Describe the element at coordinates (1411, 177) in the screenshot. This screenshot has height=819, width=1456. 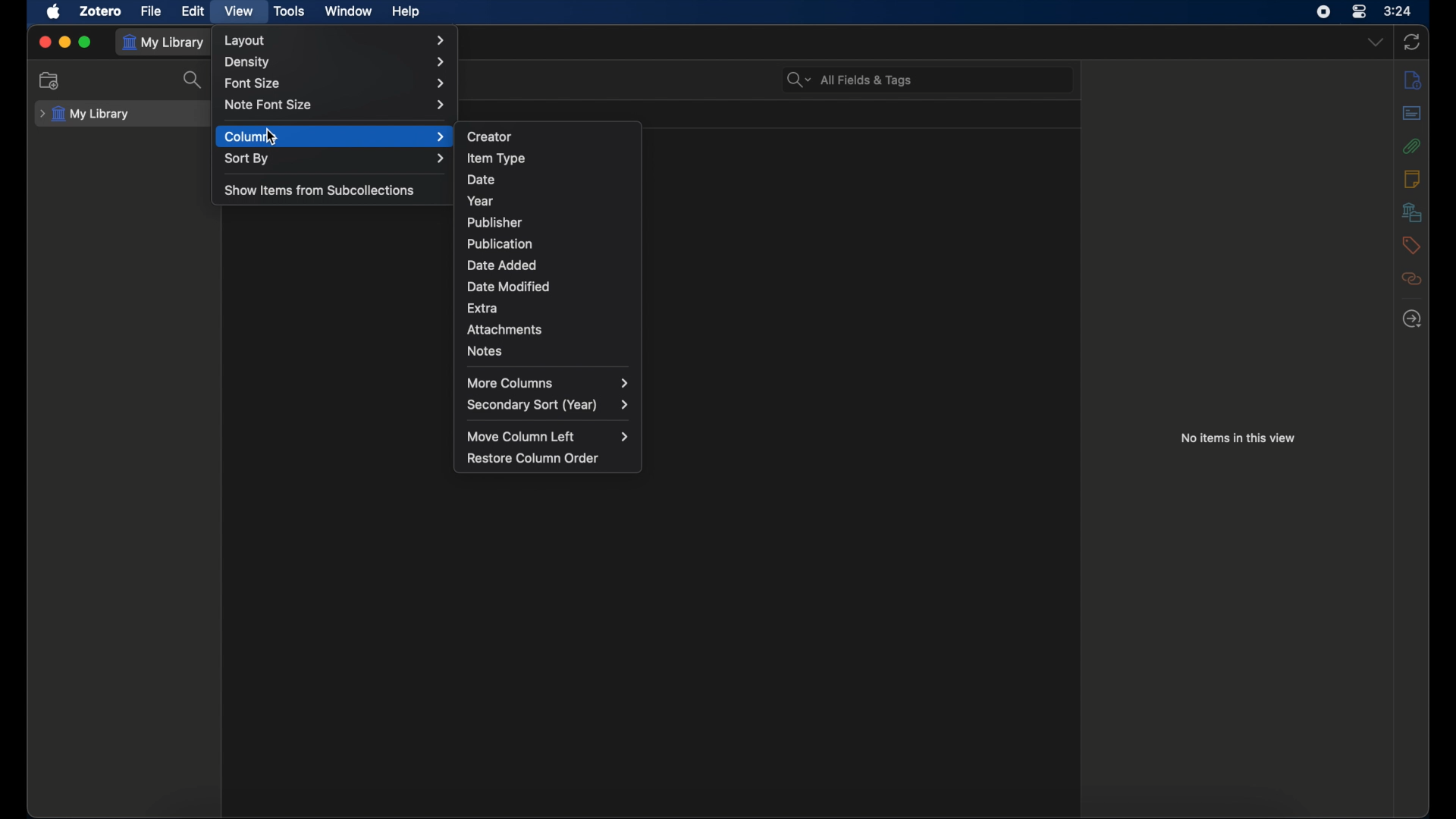
I see `notes` at that location.